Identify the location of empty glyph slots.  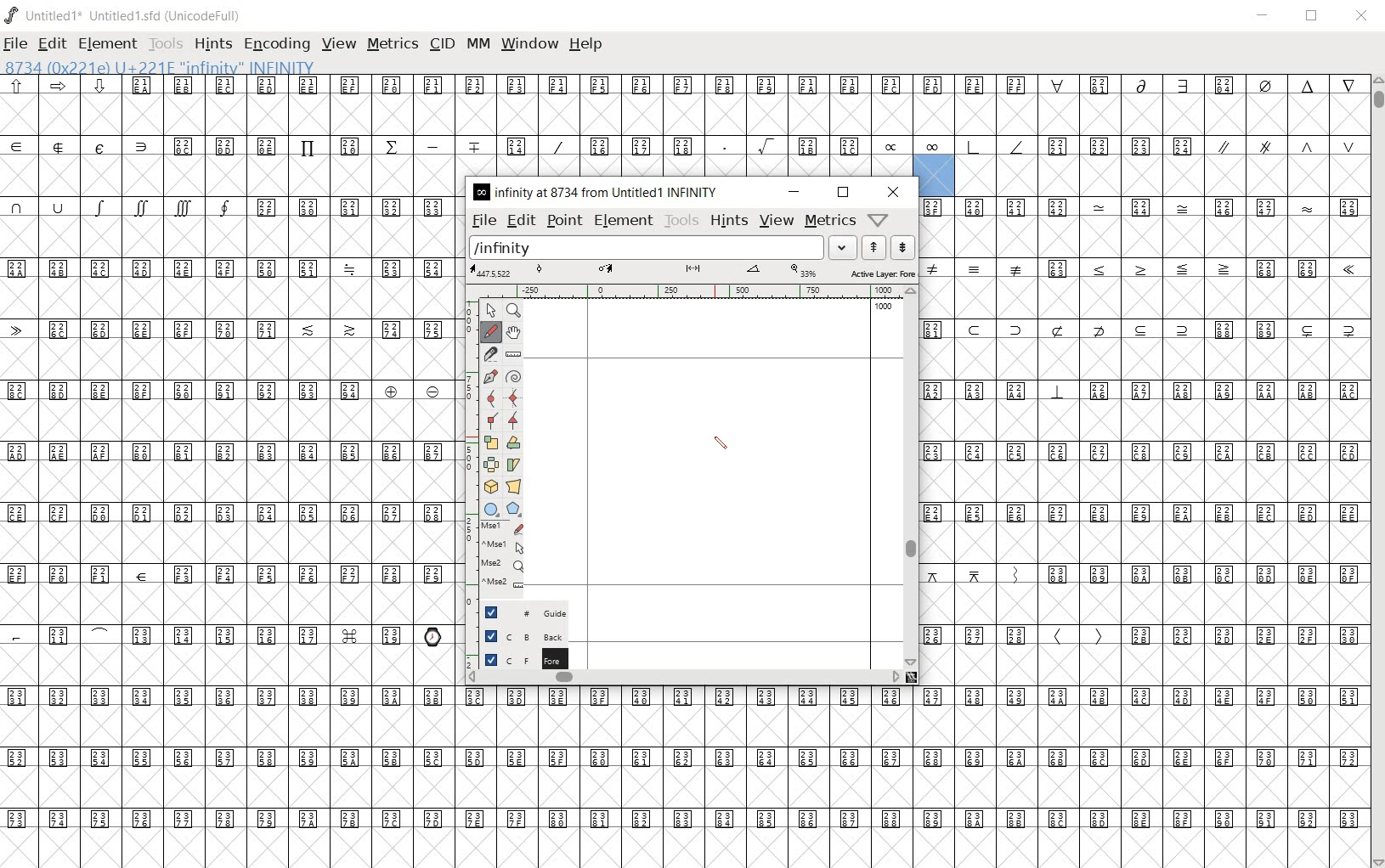
(234, 358).